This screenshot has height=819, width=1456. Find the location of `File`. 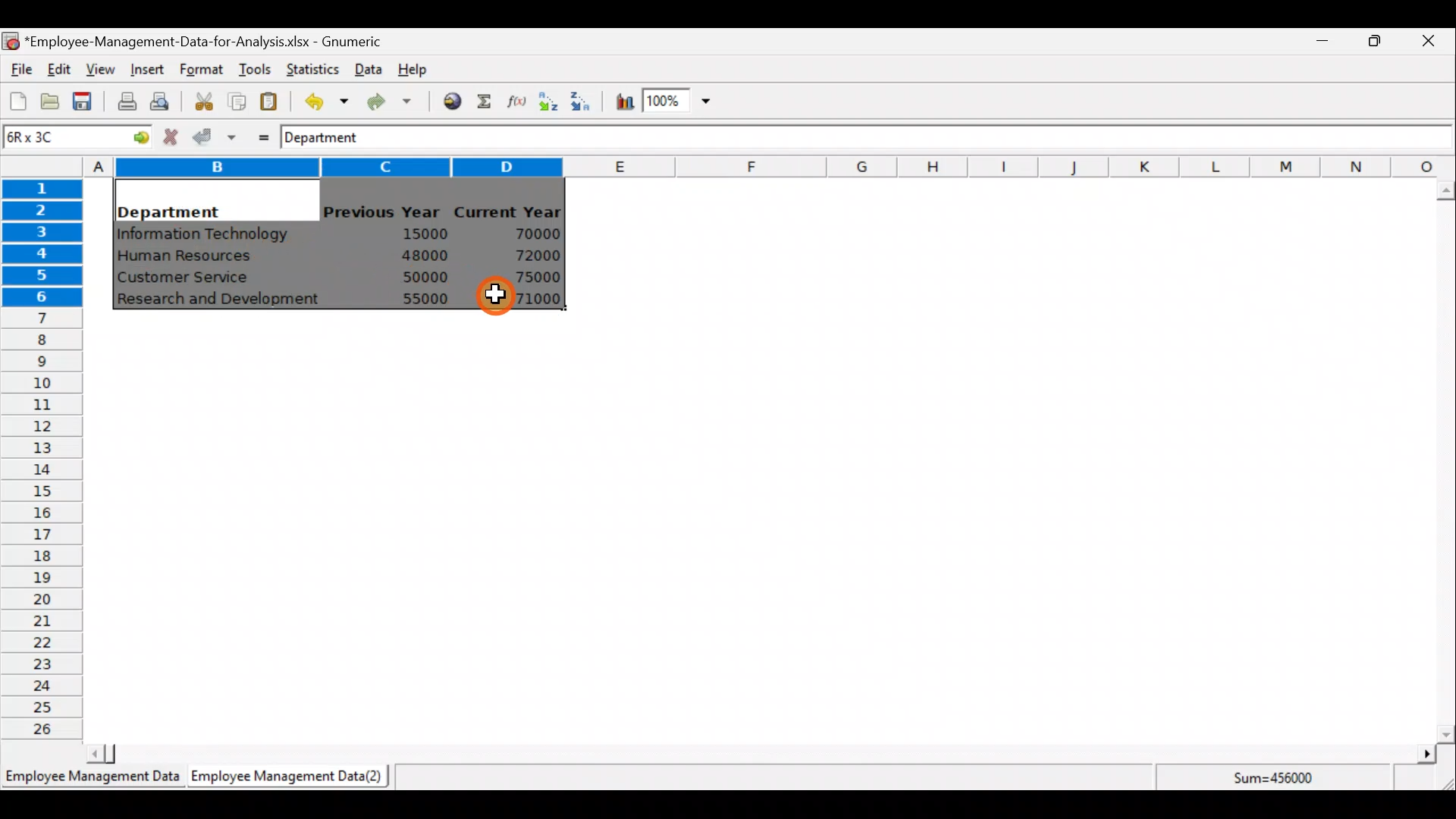

File is located at coordinates (19, 70).